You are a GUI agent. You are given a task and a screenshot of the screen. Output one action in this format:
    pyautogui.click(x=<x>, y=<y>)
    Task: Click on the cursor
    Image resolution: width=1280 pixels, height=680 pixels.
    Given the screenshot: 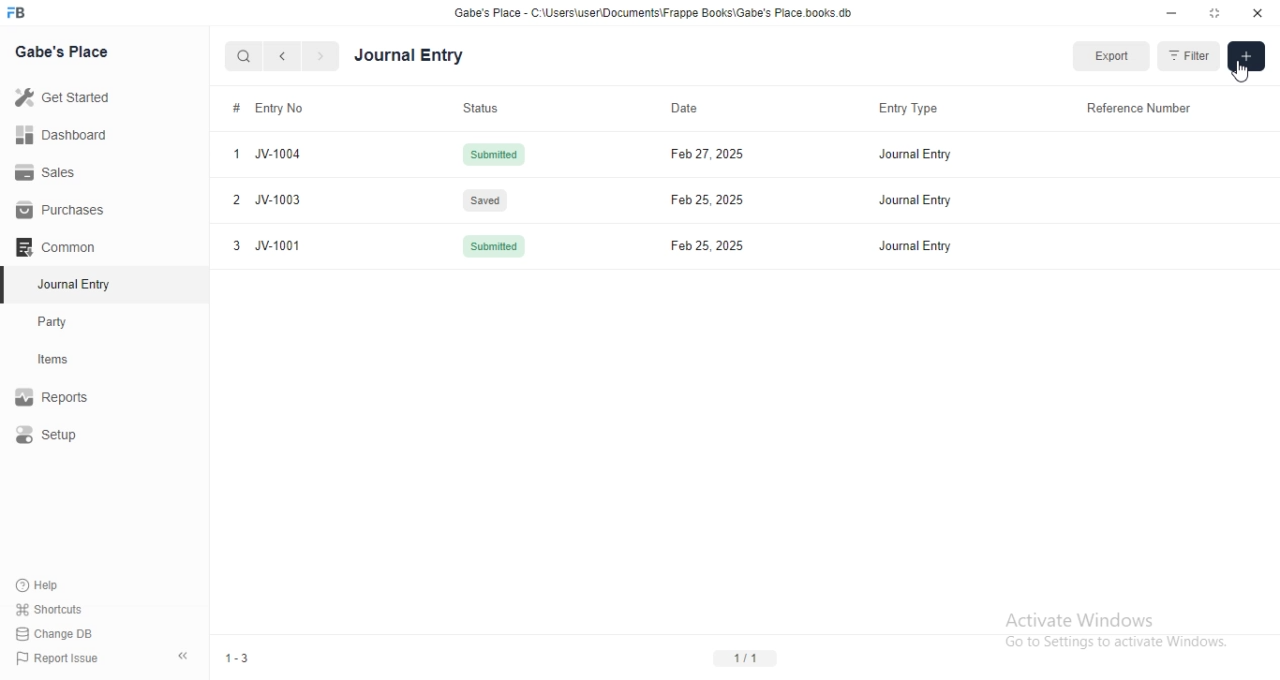 What is the action you would take?
    pyautogui.click(x=1242, y=74)
    